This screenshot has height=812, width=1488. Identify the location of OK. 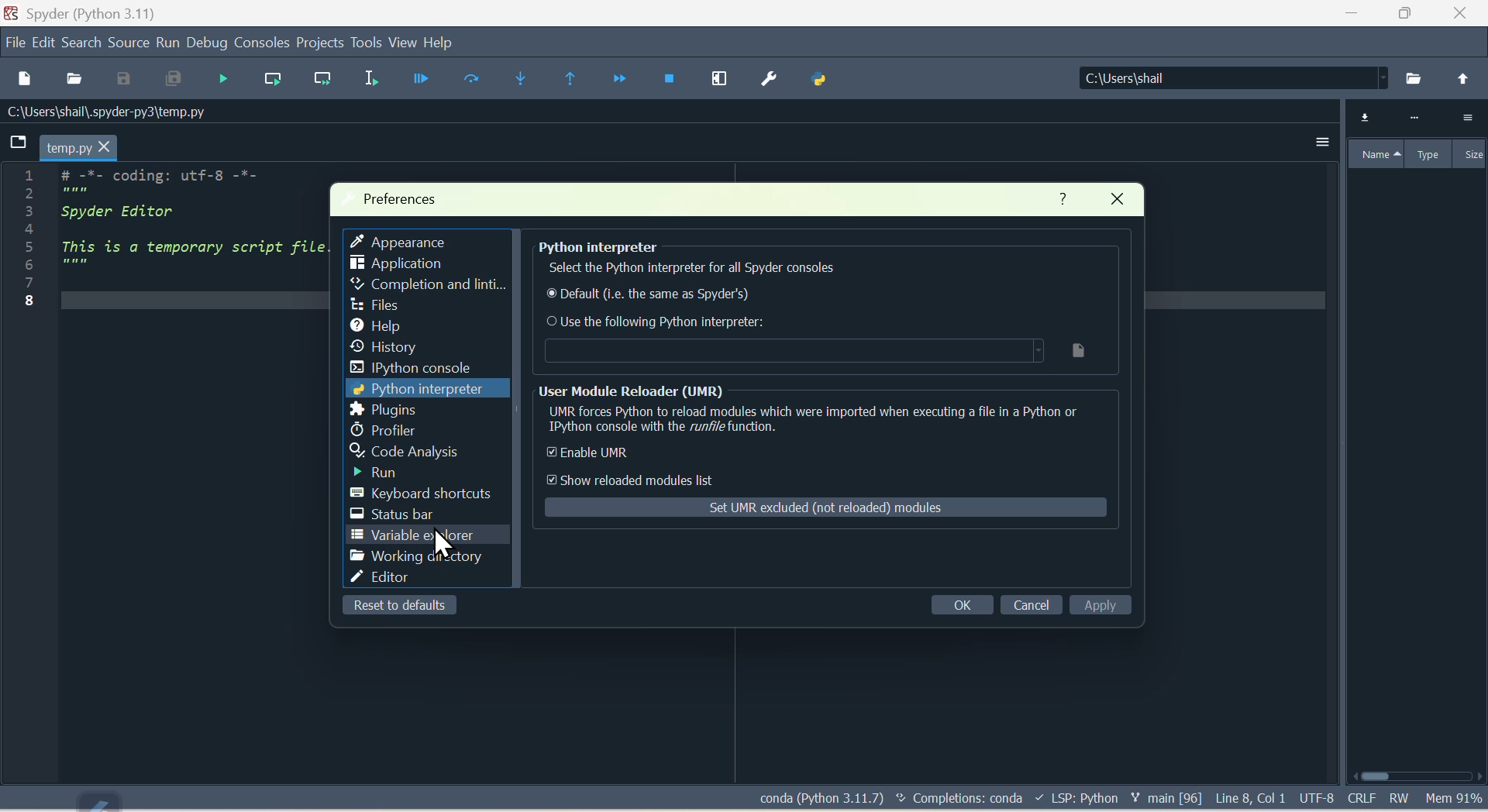
(953, 607).